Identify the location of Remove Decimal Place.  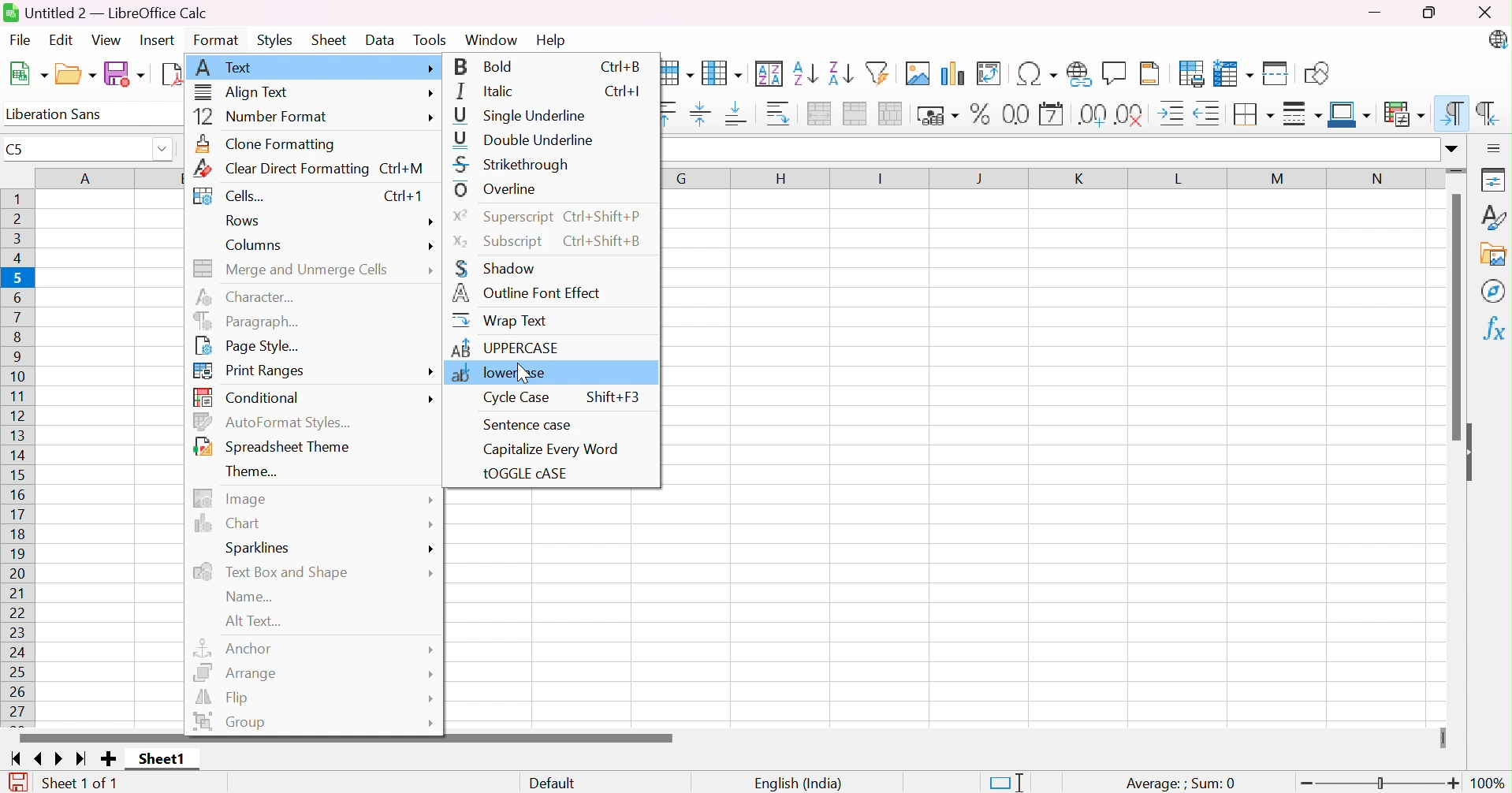
(1130, 115).